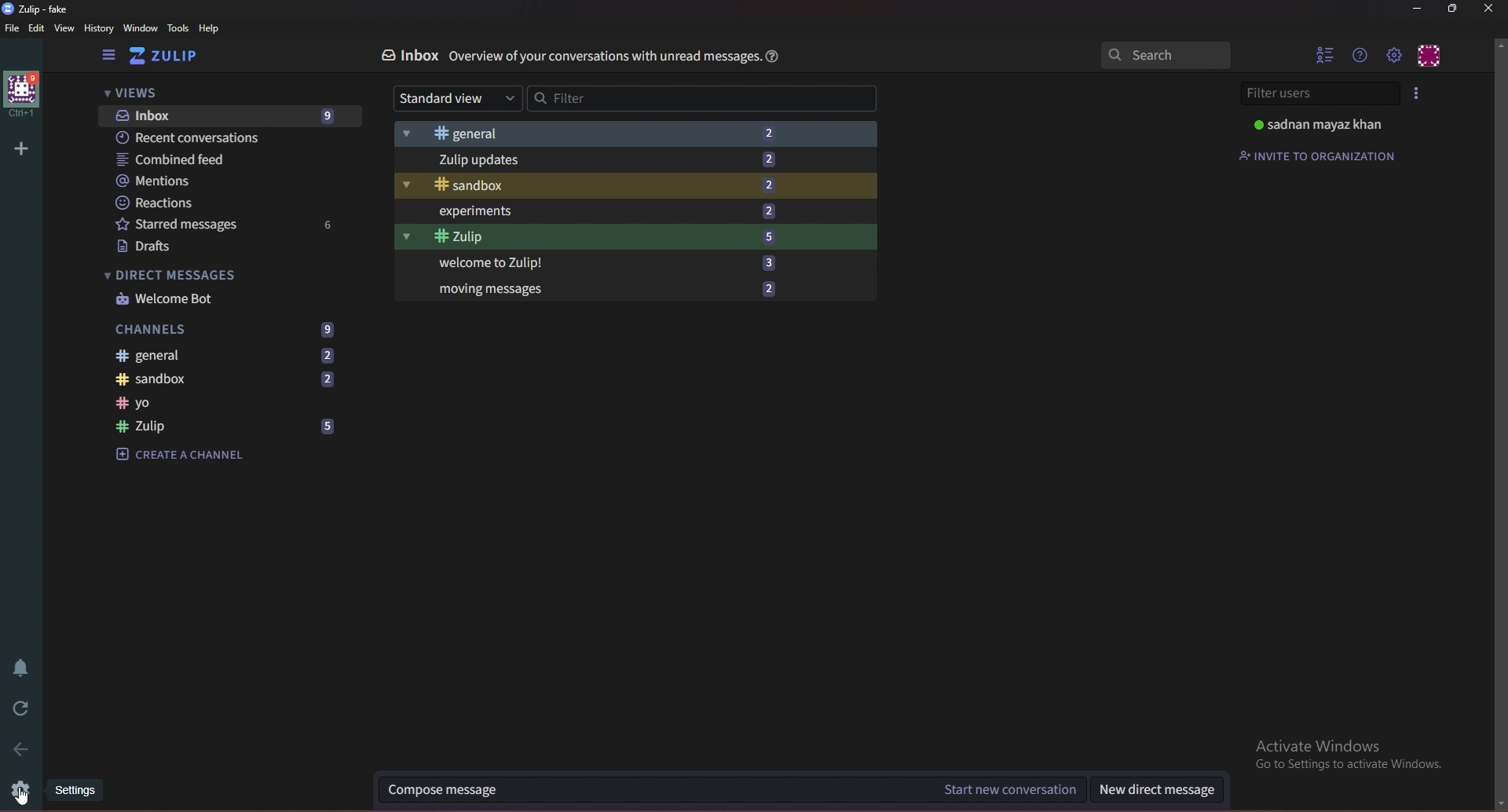  I want to click on  Inbox, so click(230, 117).